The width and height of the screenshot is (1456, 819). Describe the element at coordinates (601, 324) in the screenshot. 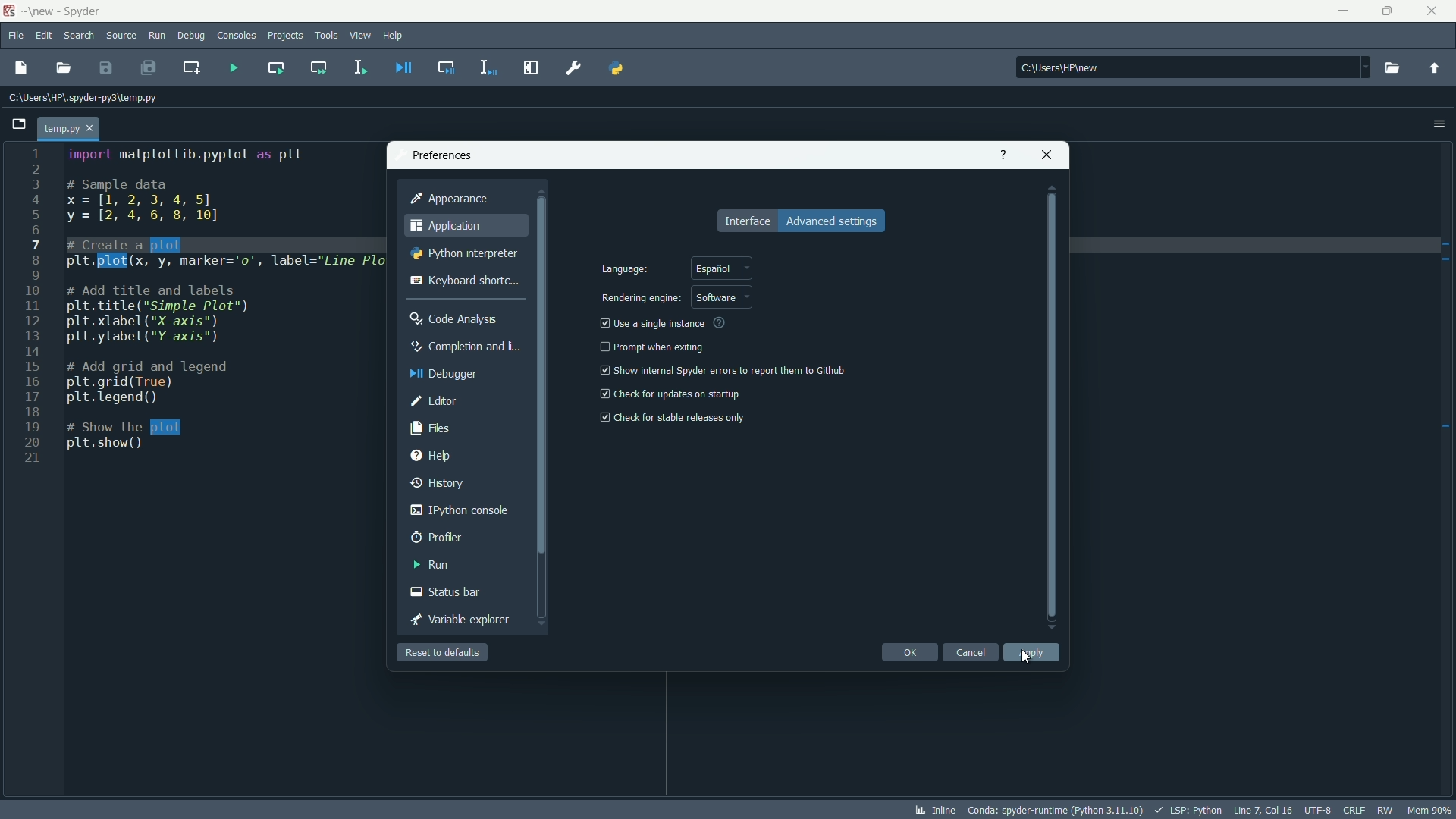

I see `checkbox` at that location.